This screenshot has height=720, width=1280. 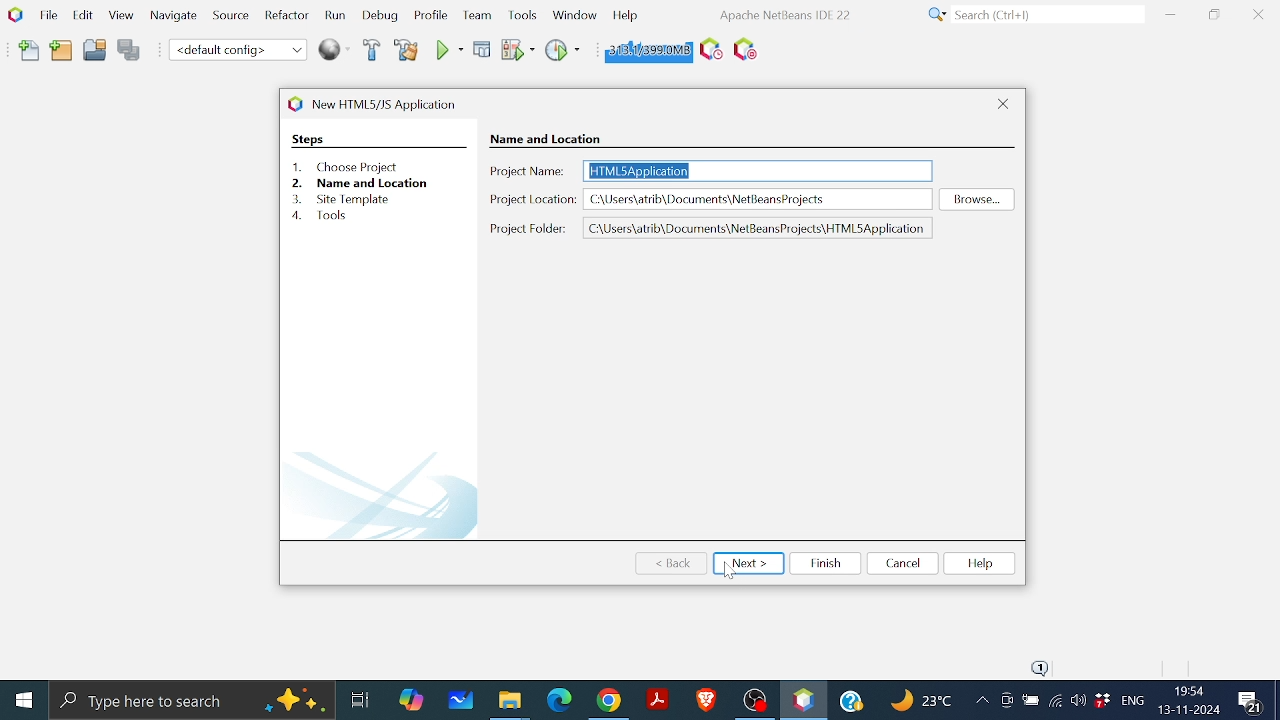 What do you see at coordinates (529, 231) in the screenshot?
I see `Project Folder:` at bounding box center [529, 231].